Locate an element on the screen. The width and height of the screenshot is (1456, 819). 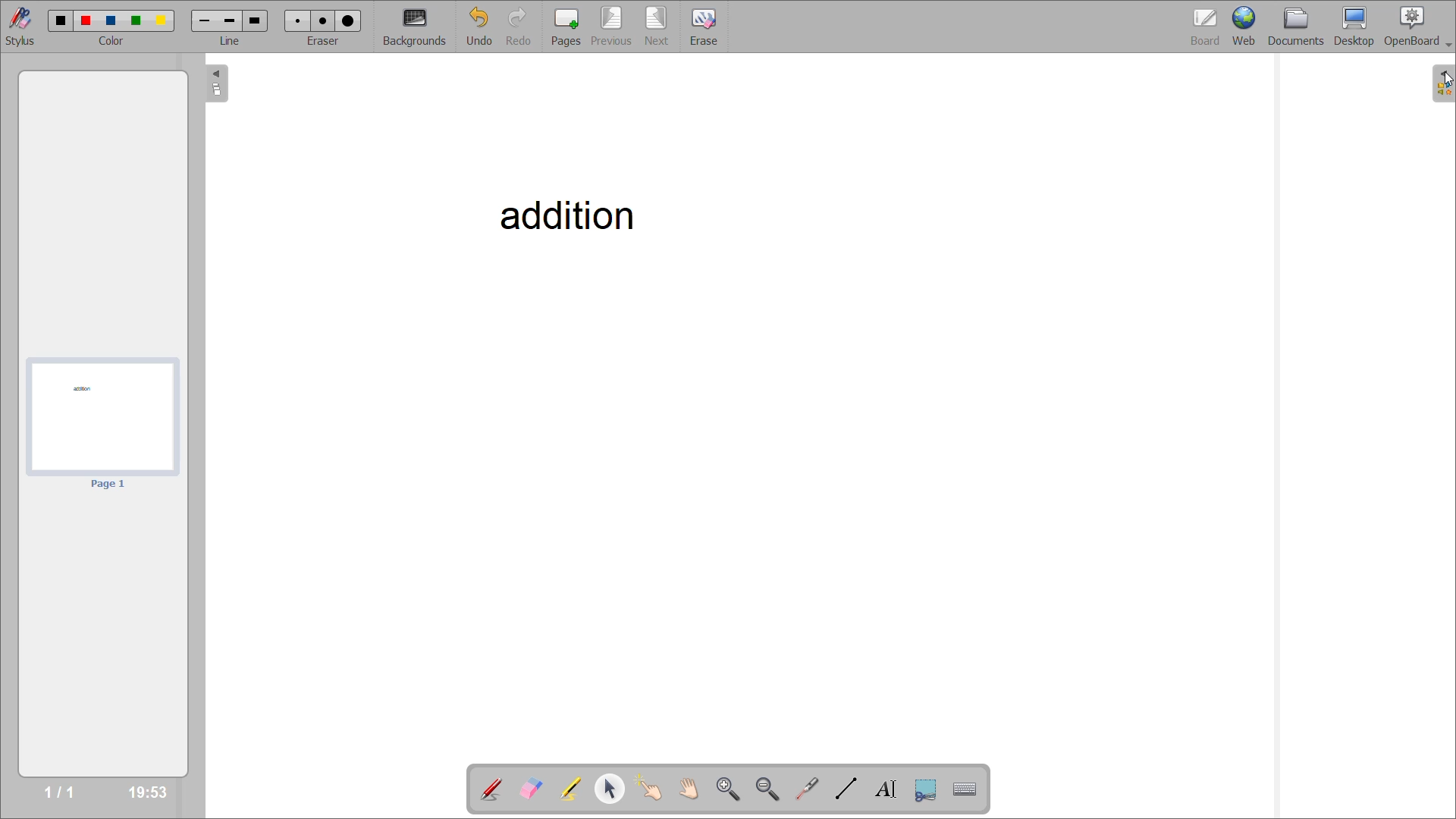
capture part of the screen is located at coordinates (927, 790).